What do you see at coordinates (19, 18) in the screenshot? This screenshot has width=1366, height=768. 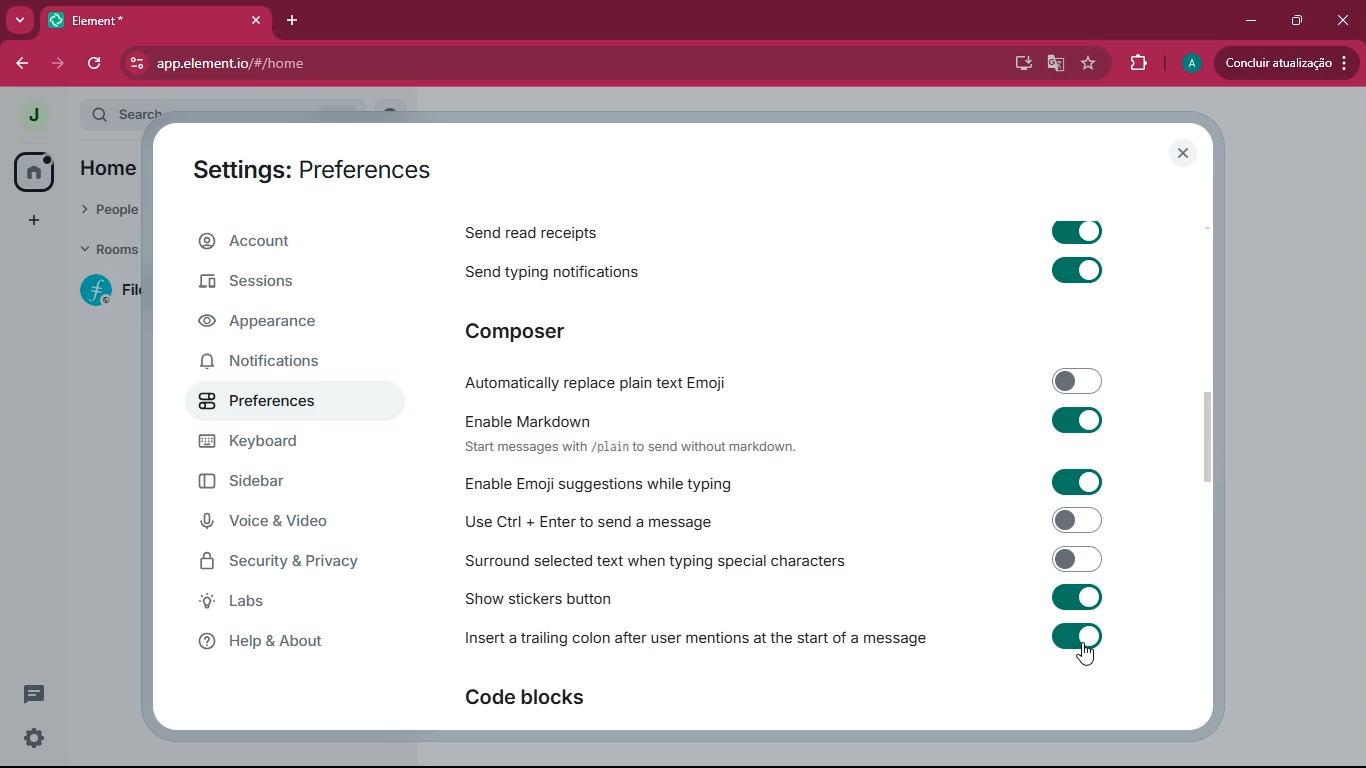 I see `more` at bounding box center [19, 18].